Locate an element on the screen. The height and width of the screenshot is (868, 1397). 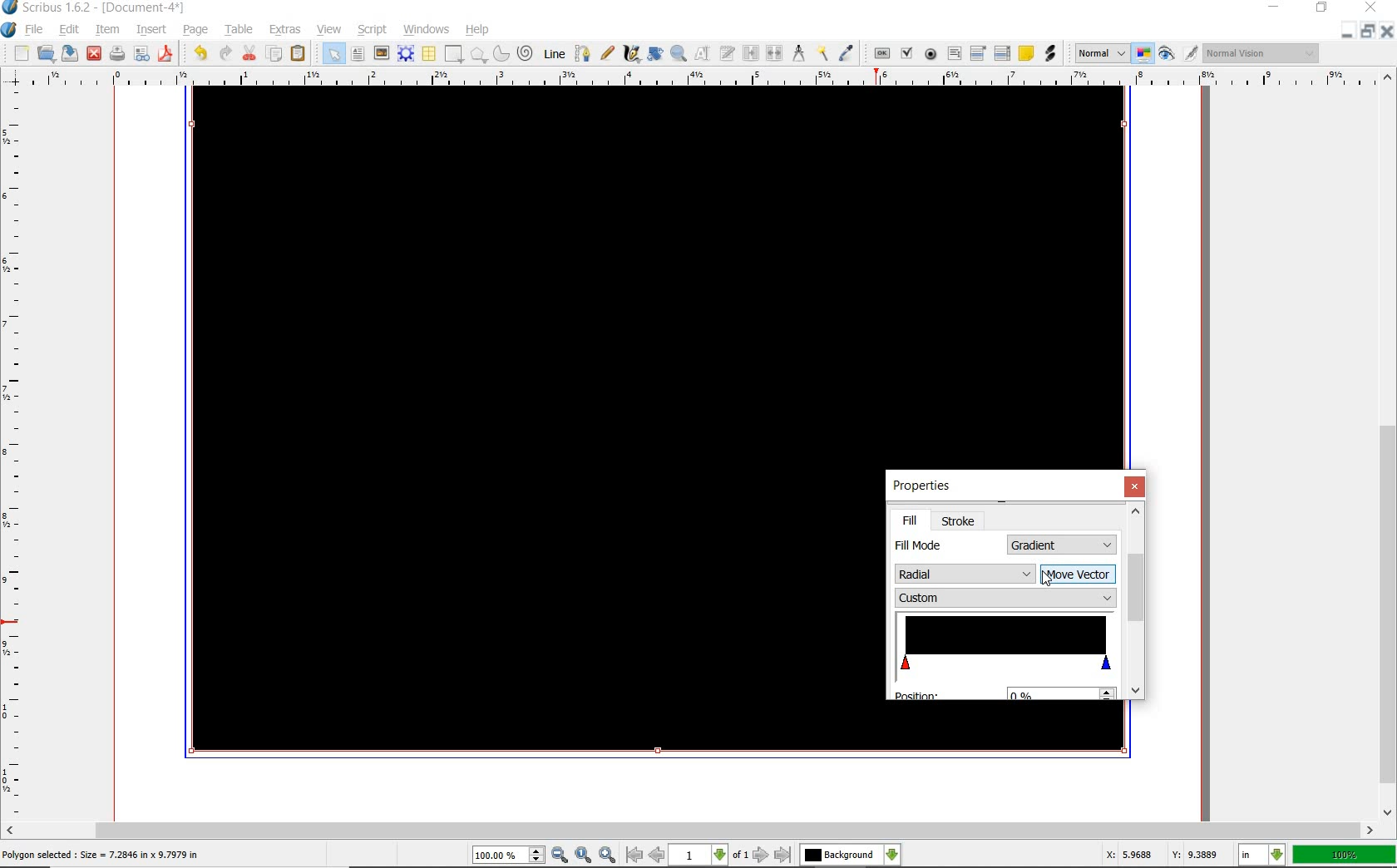
eye dropper is located at coordinates (847, 51).